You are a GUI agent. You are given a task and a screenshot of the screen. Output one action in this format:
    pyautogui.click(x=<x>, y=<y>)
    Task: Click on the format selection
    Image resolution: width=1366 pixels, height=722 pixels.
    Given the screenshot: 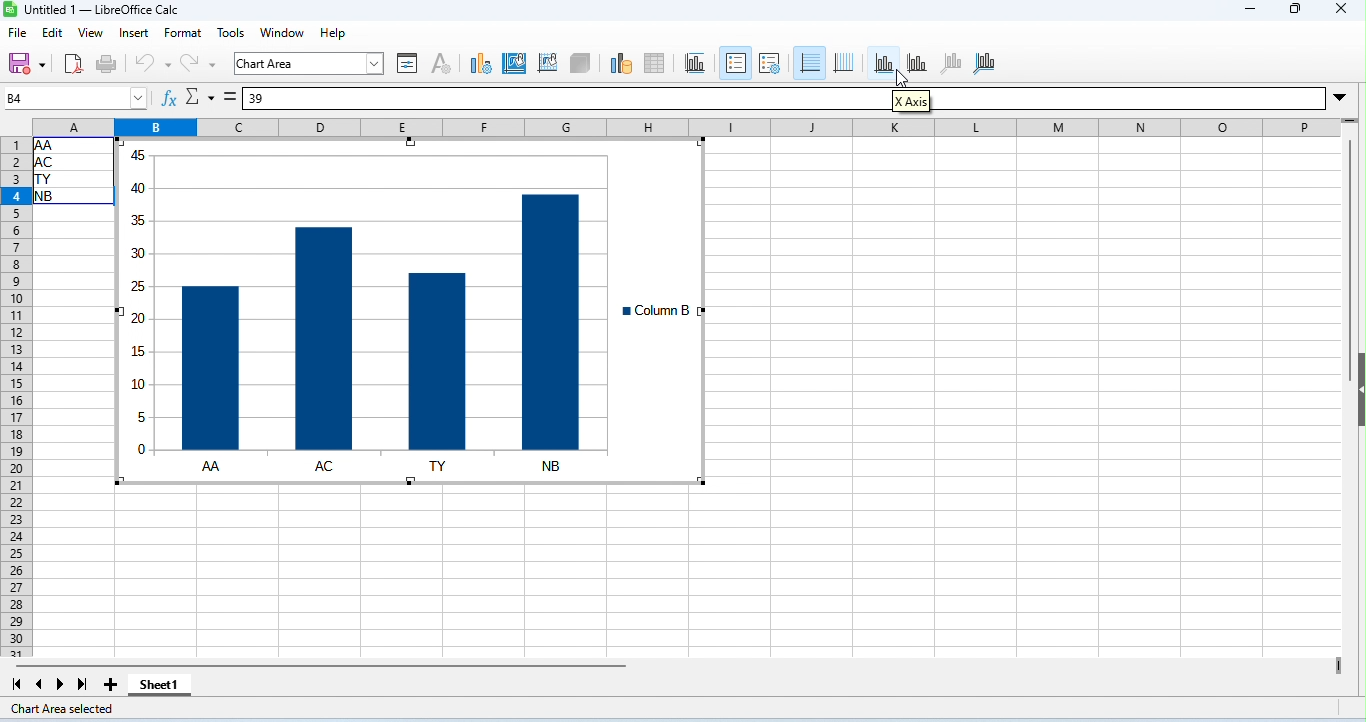 What is the action you would take?
    pyautogui.click(x=408, y=64)
    